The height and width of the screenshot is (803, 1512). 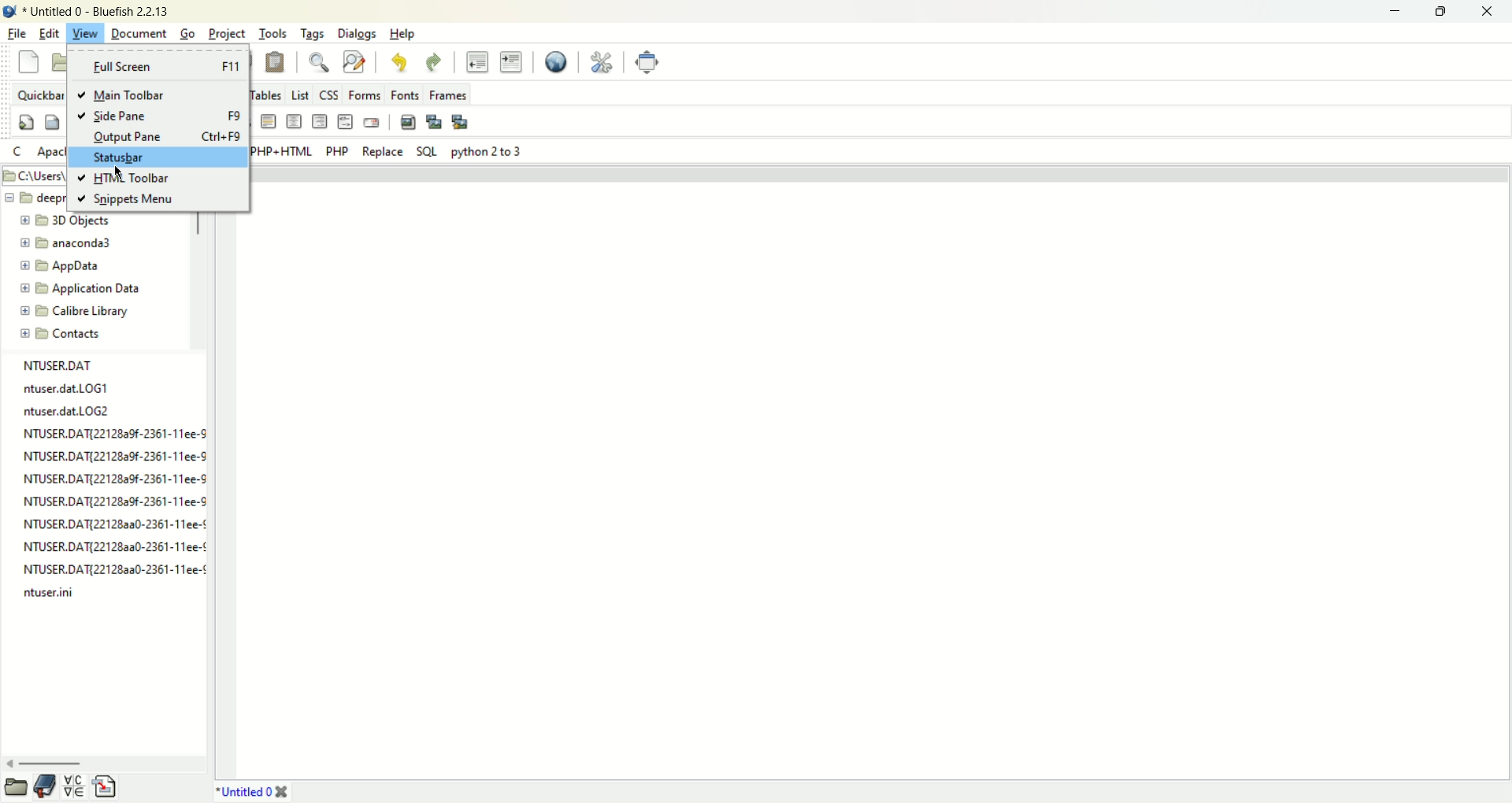 I want to click on main toolbar, so click(x=151, y=94).